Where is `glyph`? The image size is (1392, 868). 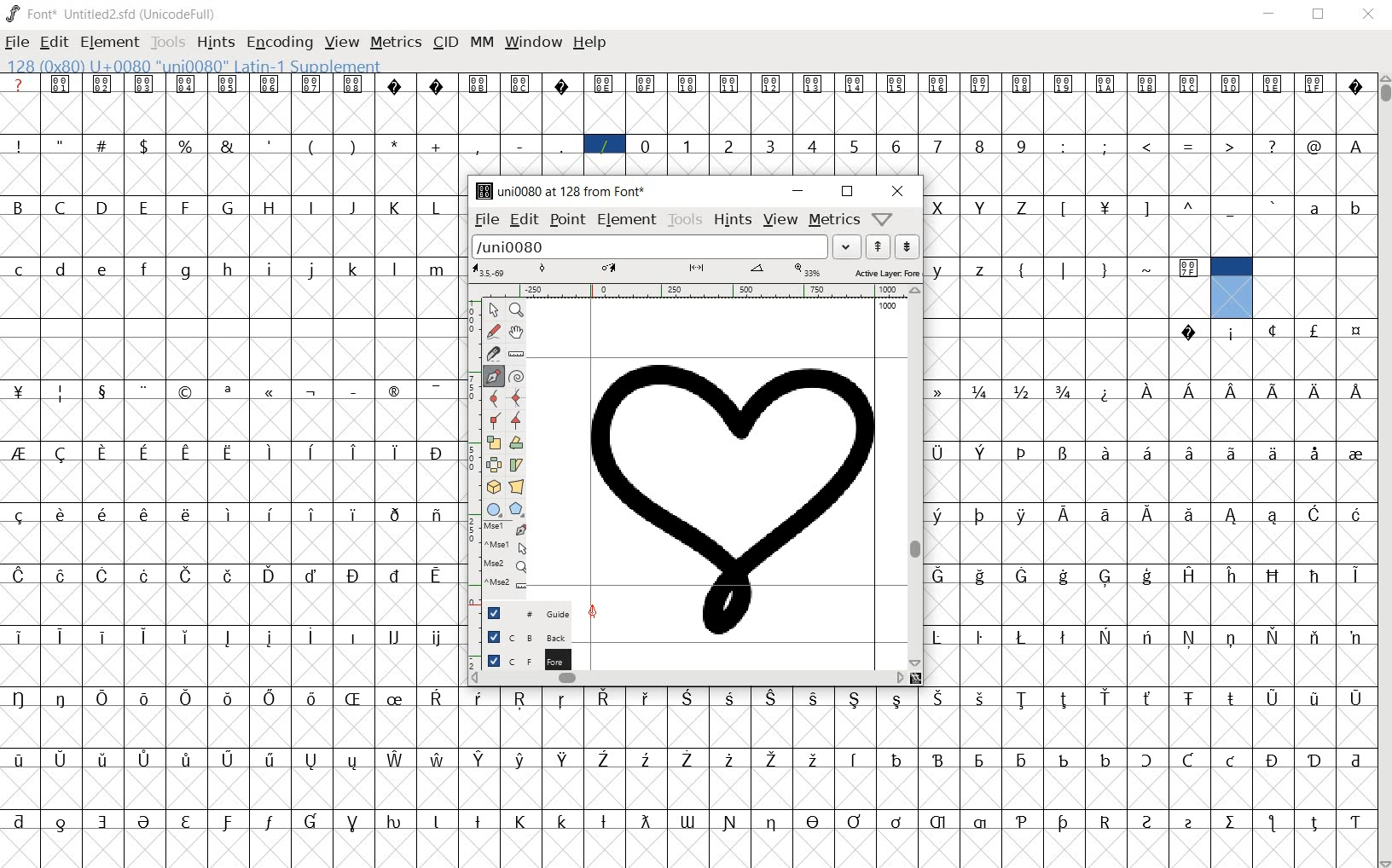 glyph is located at coordinates (1231, 639).